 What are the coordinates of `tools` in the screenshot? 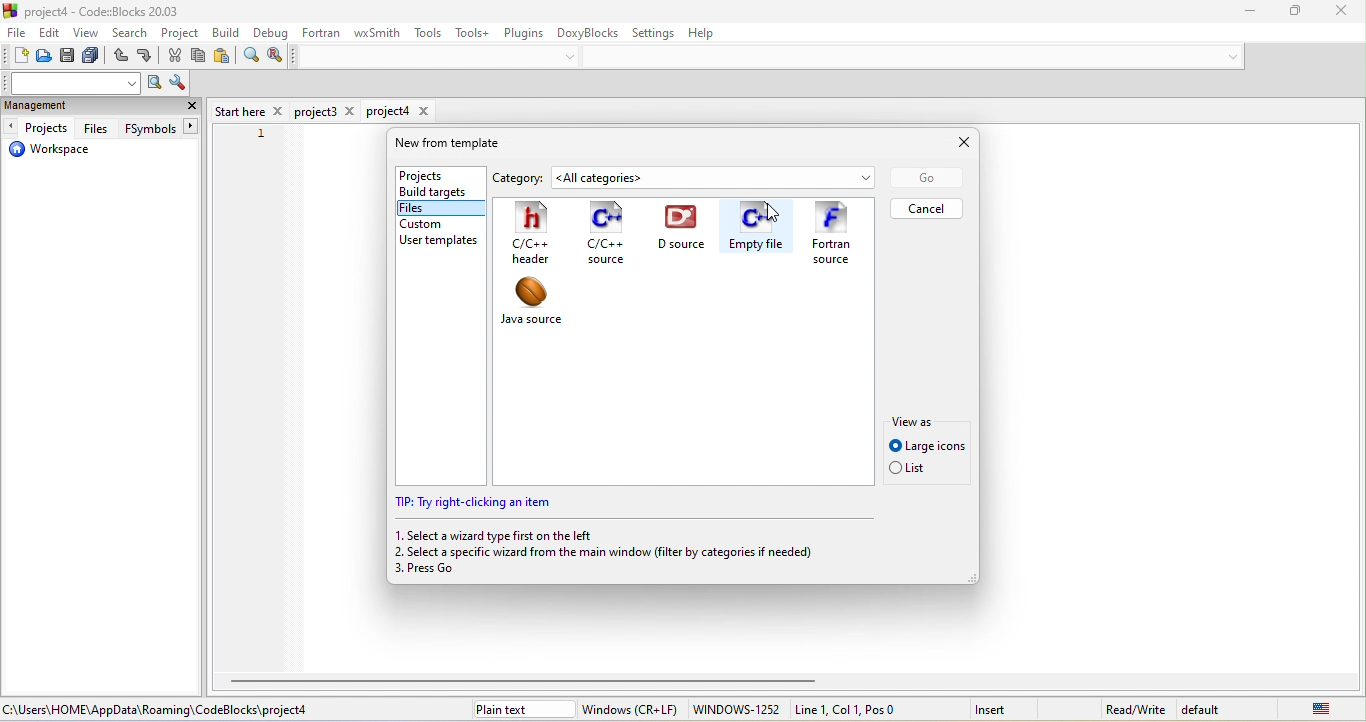 It's located at (430, 33).